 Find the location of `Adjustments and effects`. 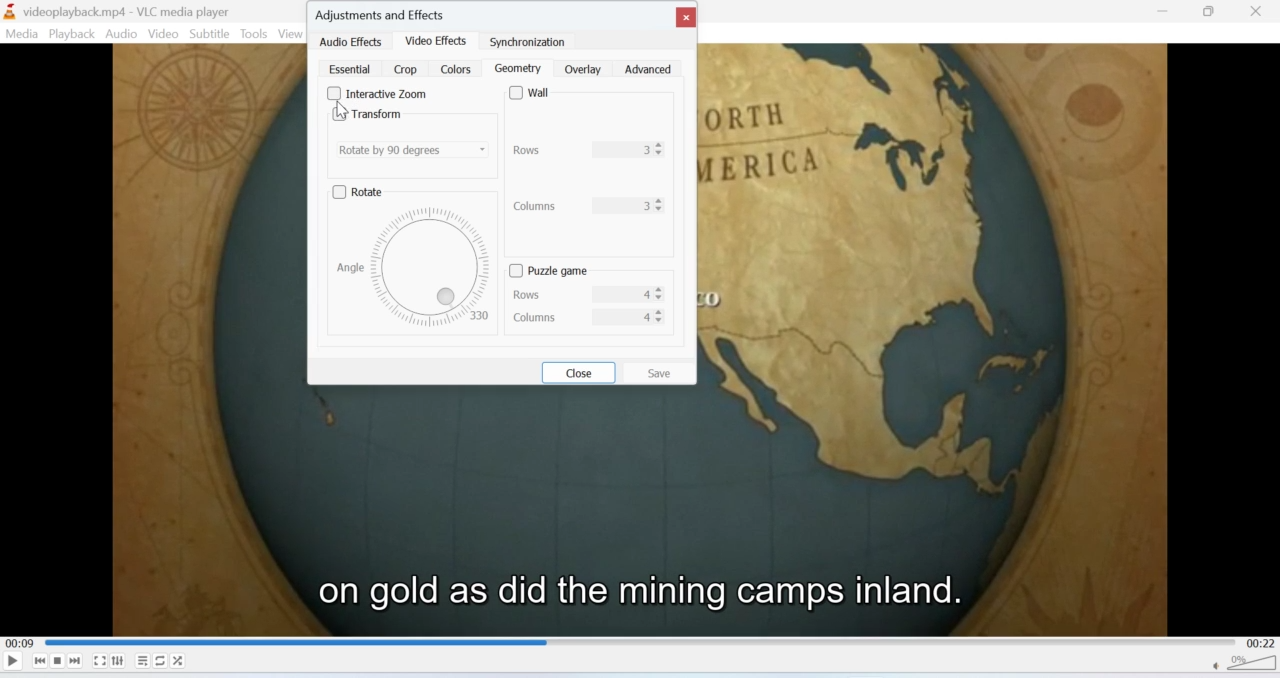

Adjustments and effects is located at coordinates (383, 12).